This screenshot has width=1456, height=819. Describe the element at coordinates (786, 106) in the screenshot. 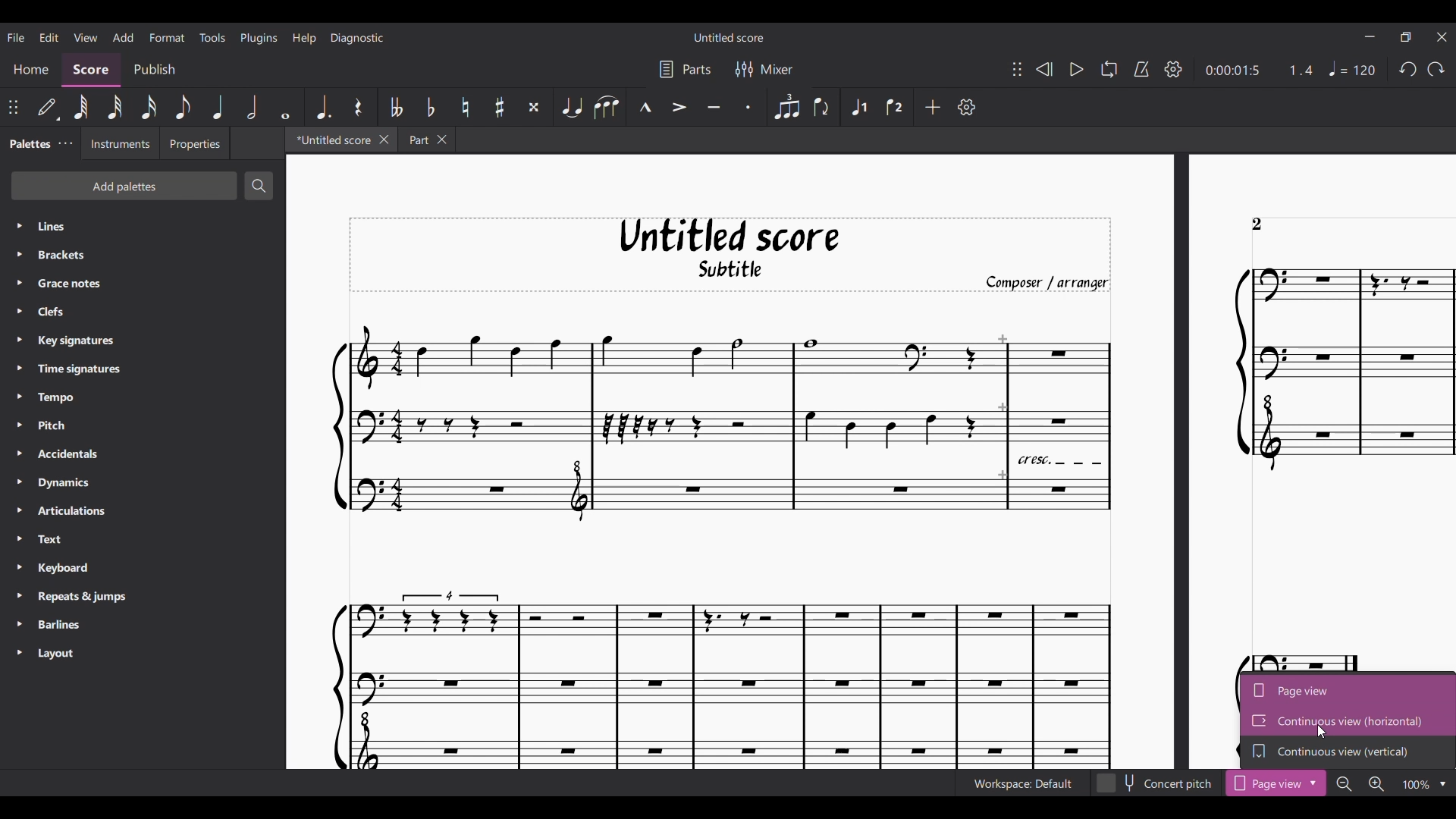

I see `Tuplet` at that location.